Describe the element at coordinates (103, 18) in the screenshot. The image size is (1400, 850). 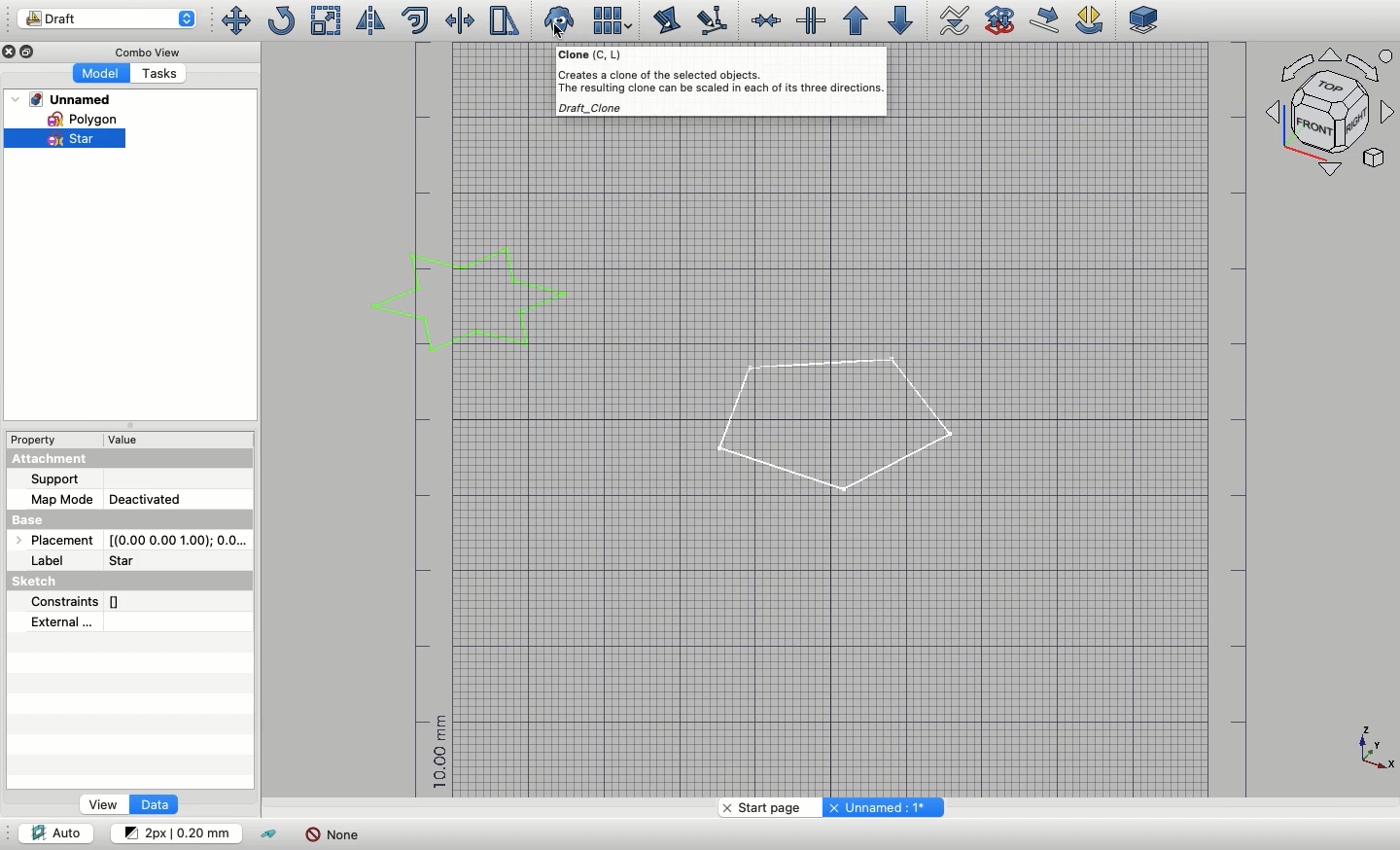
I see `Draft workbench` at that location.